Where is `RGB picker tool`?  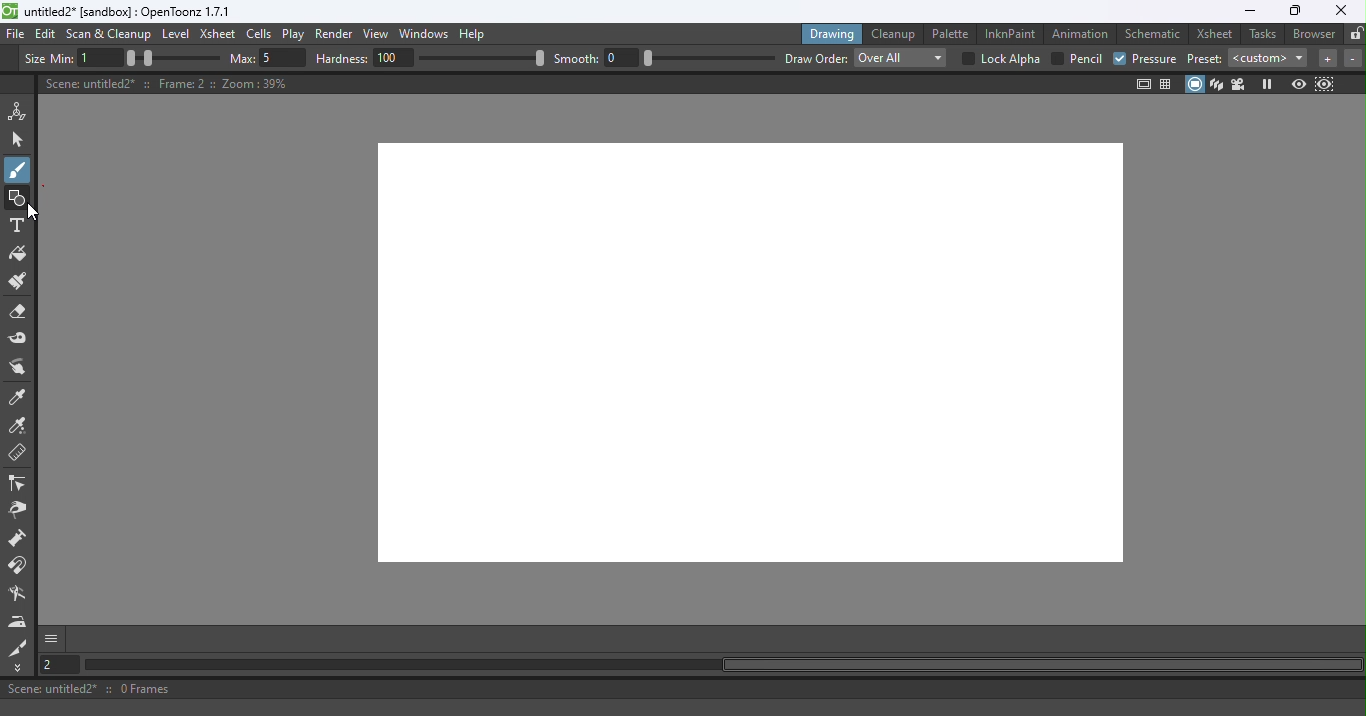 RGB picker tool is located at coordinates (21, 427).